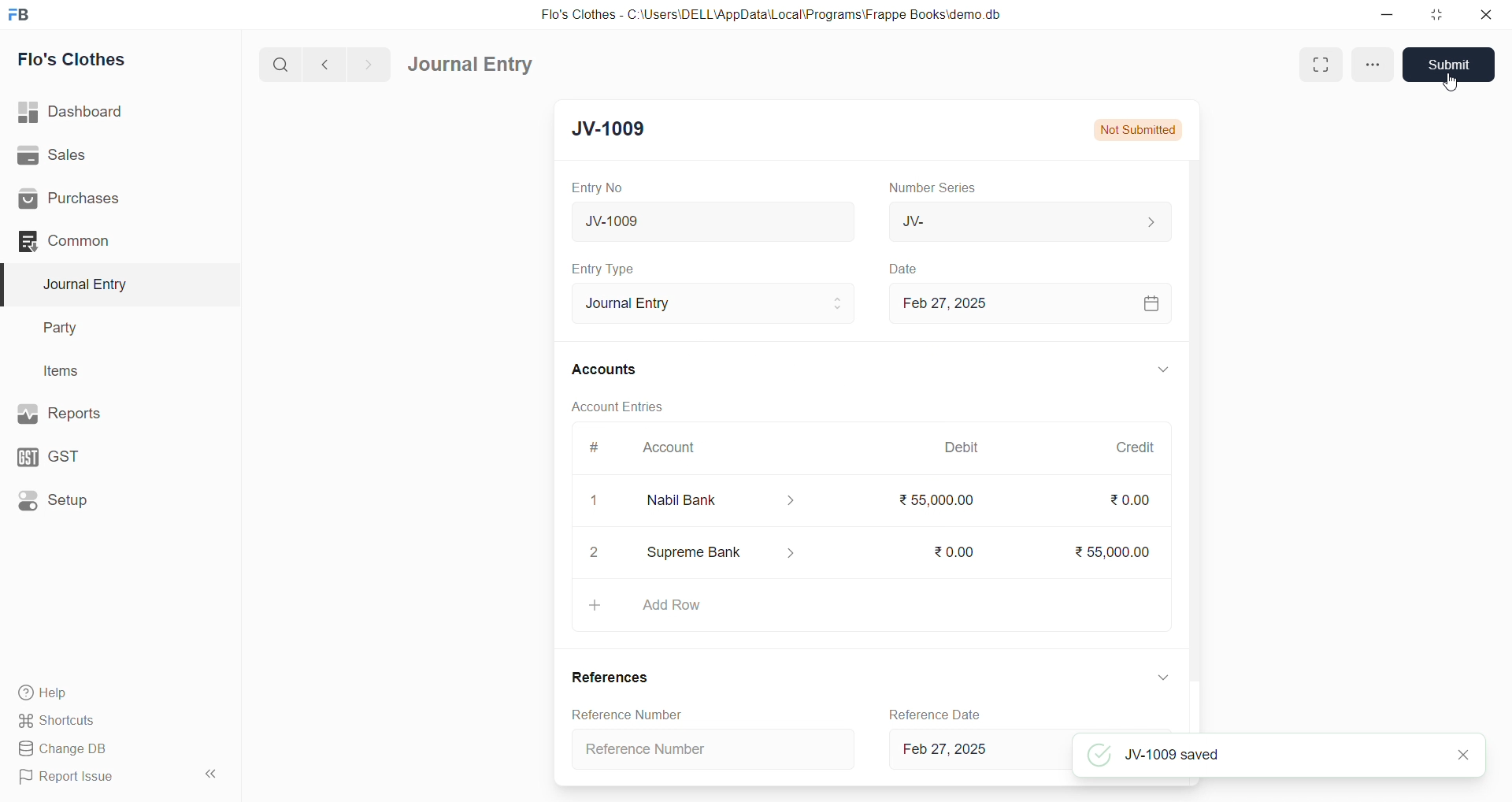 The image size is (1512, 802). Describe the element at coordinates (95, 200) in the screenshot. I see `Purchases` at that location.